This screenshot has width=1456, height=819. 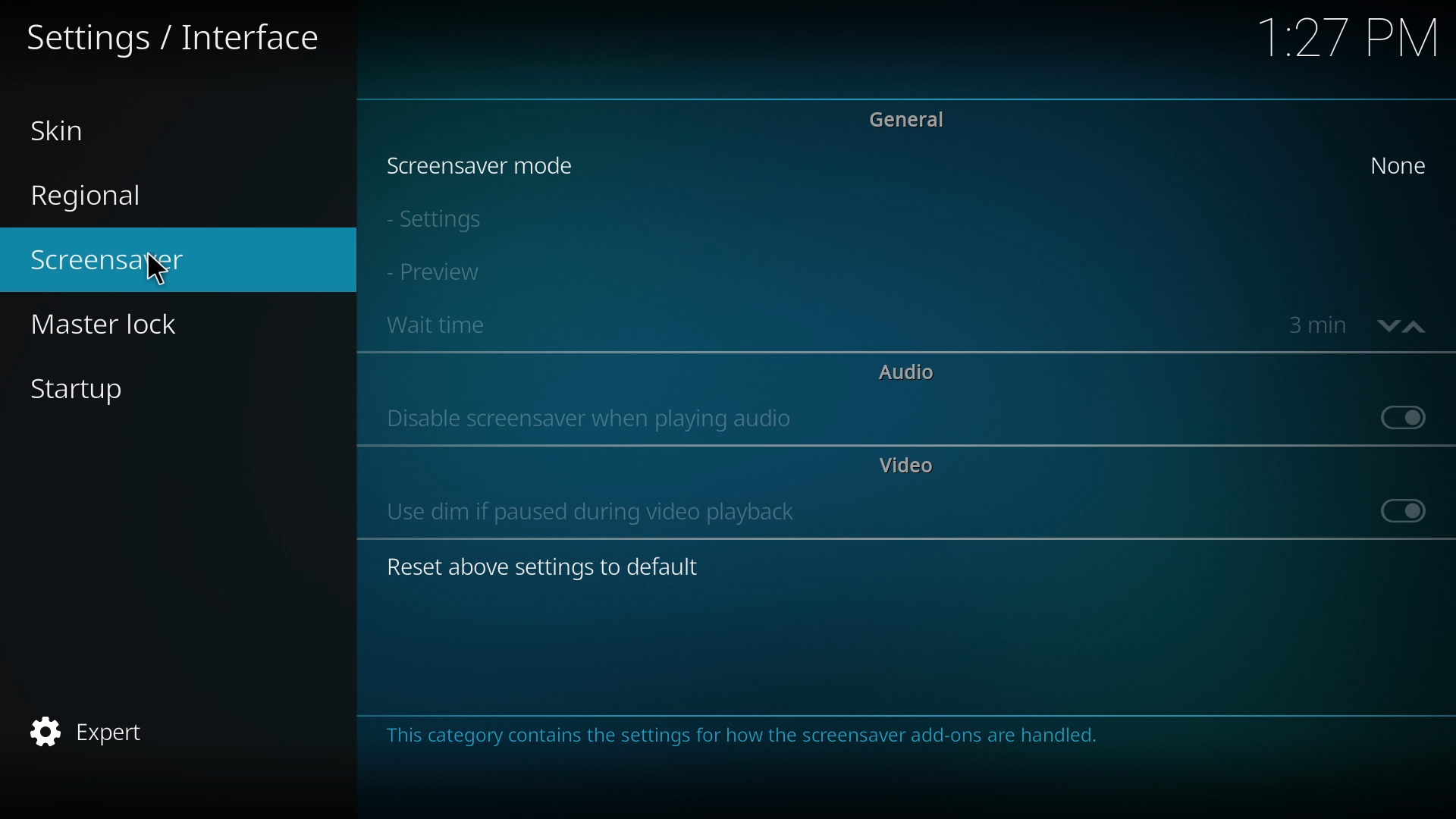 I want to click on use dim if paused during video playback, so click(x=594, y=511).